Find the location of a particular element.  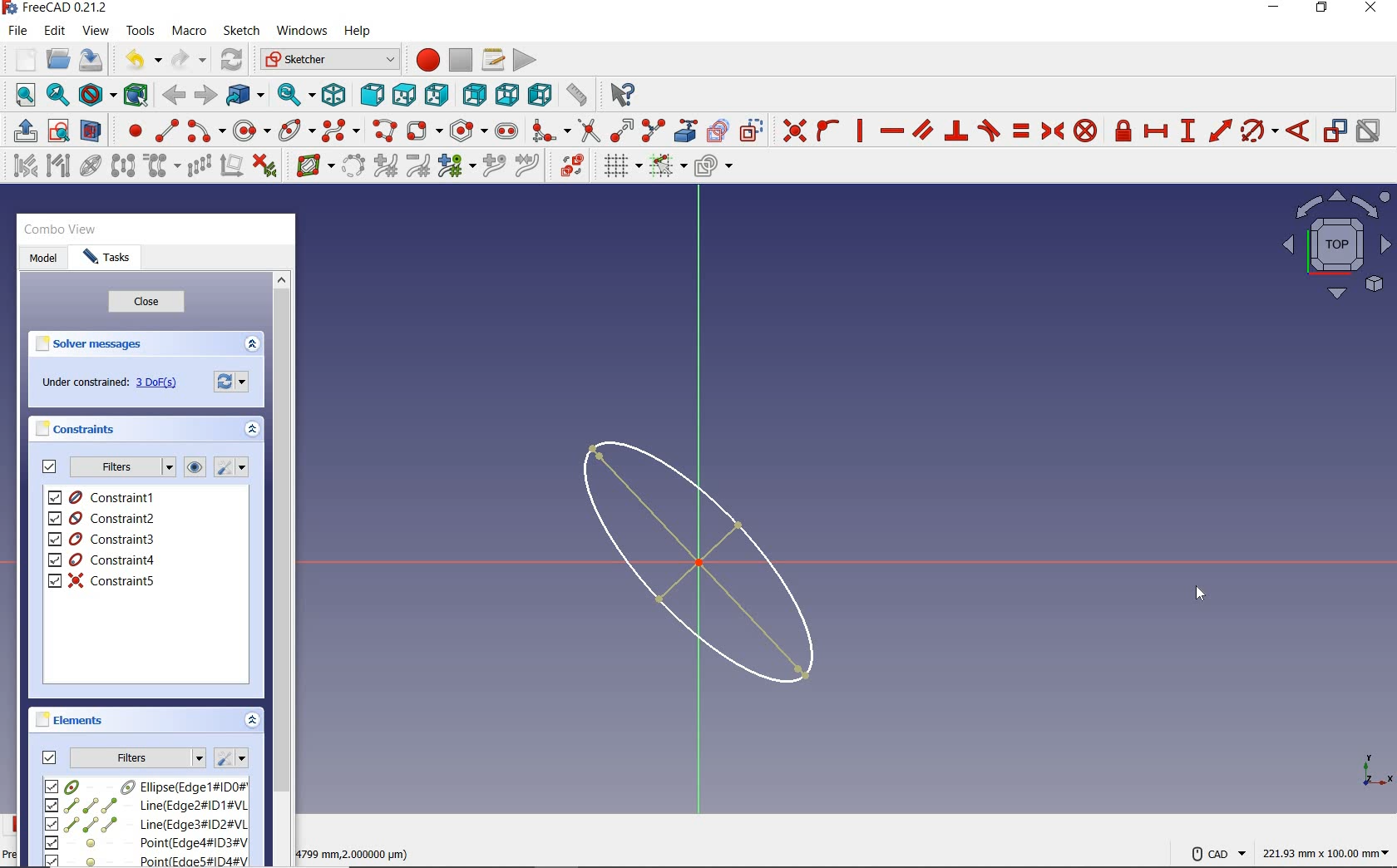

create carbon copy is located at coordinates (718, 129).